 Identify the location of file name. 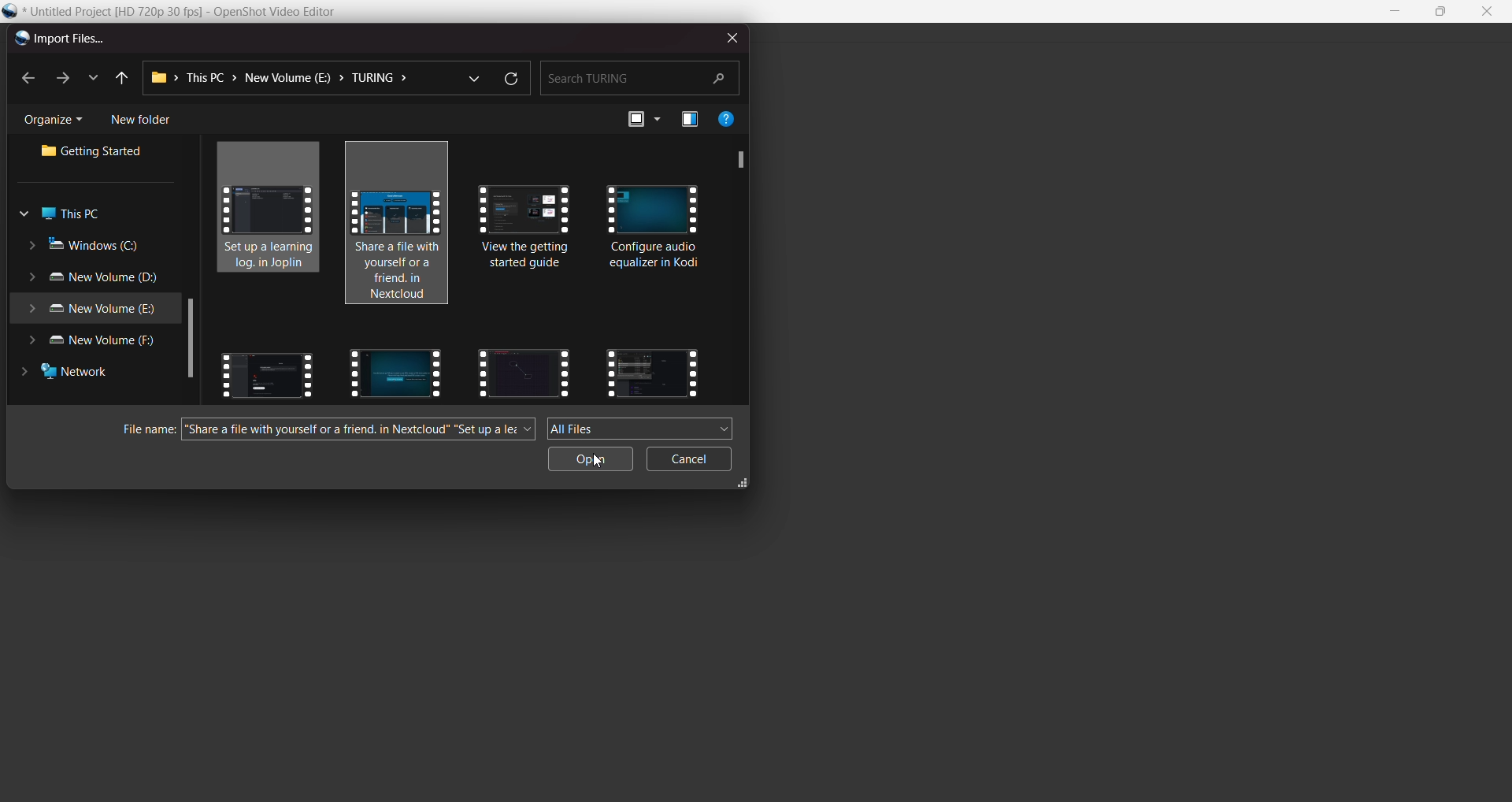
(191, 13).